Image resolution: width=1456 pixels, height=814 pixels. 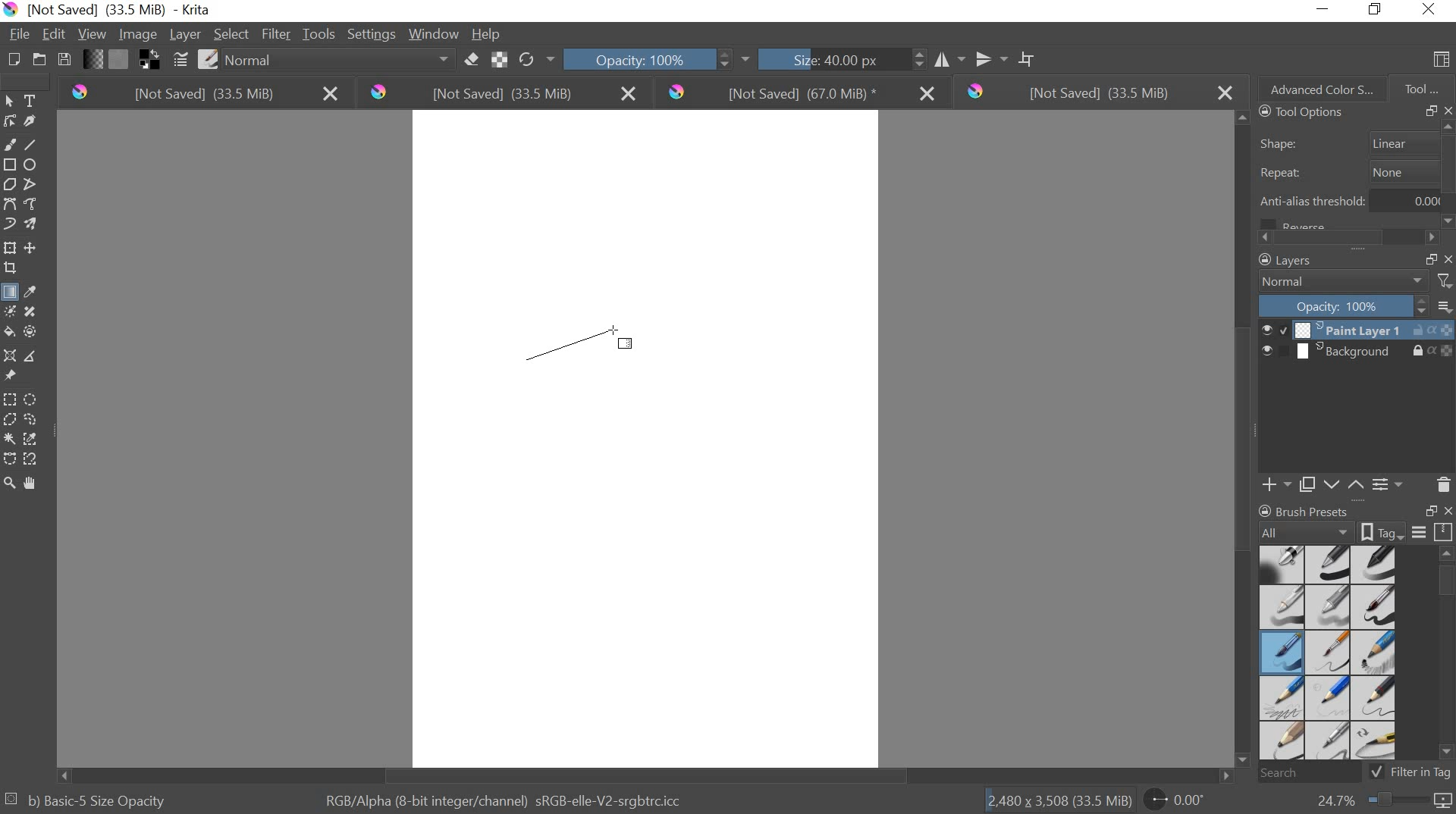 I want to click on EDIT, so click(x=57, y=33).